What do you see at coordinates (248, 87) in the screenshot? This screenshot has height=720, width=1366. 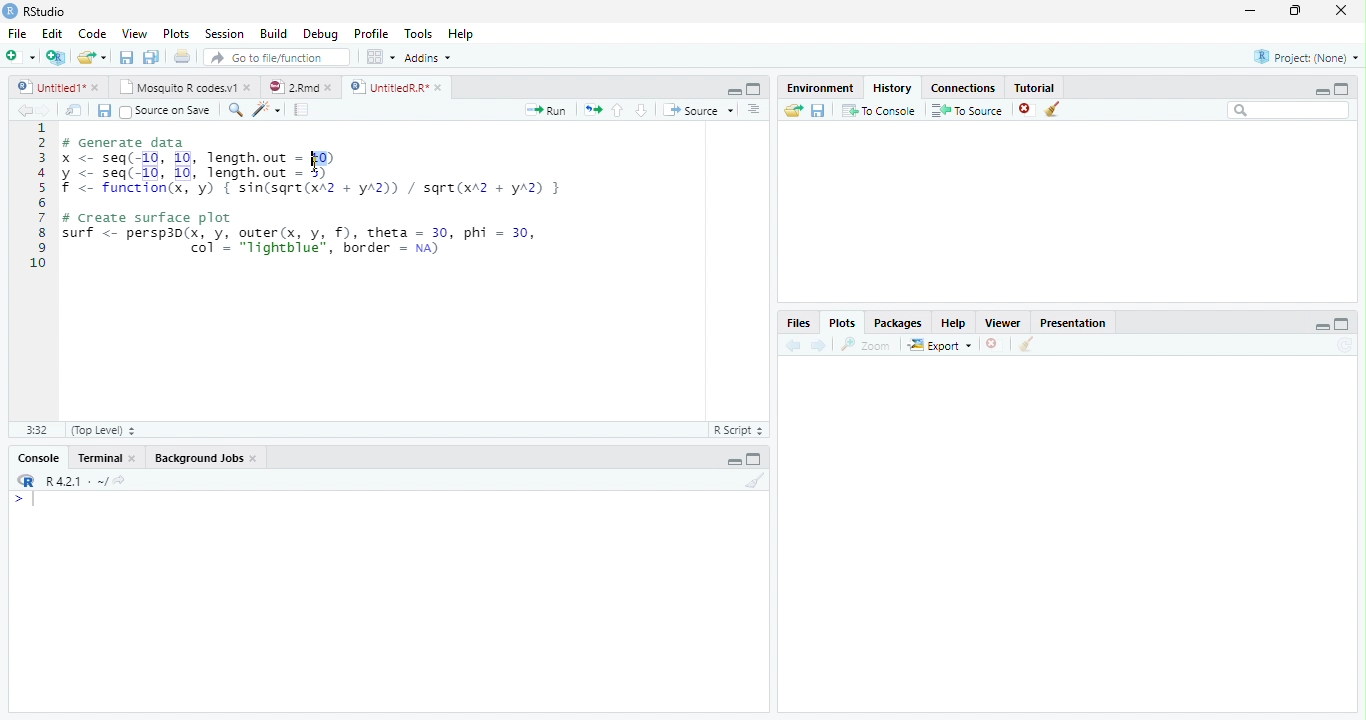 I see `close` at bounding box center [248, 87].